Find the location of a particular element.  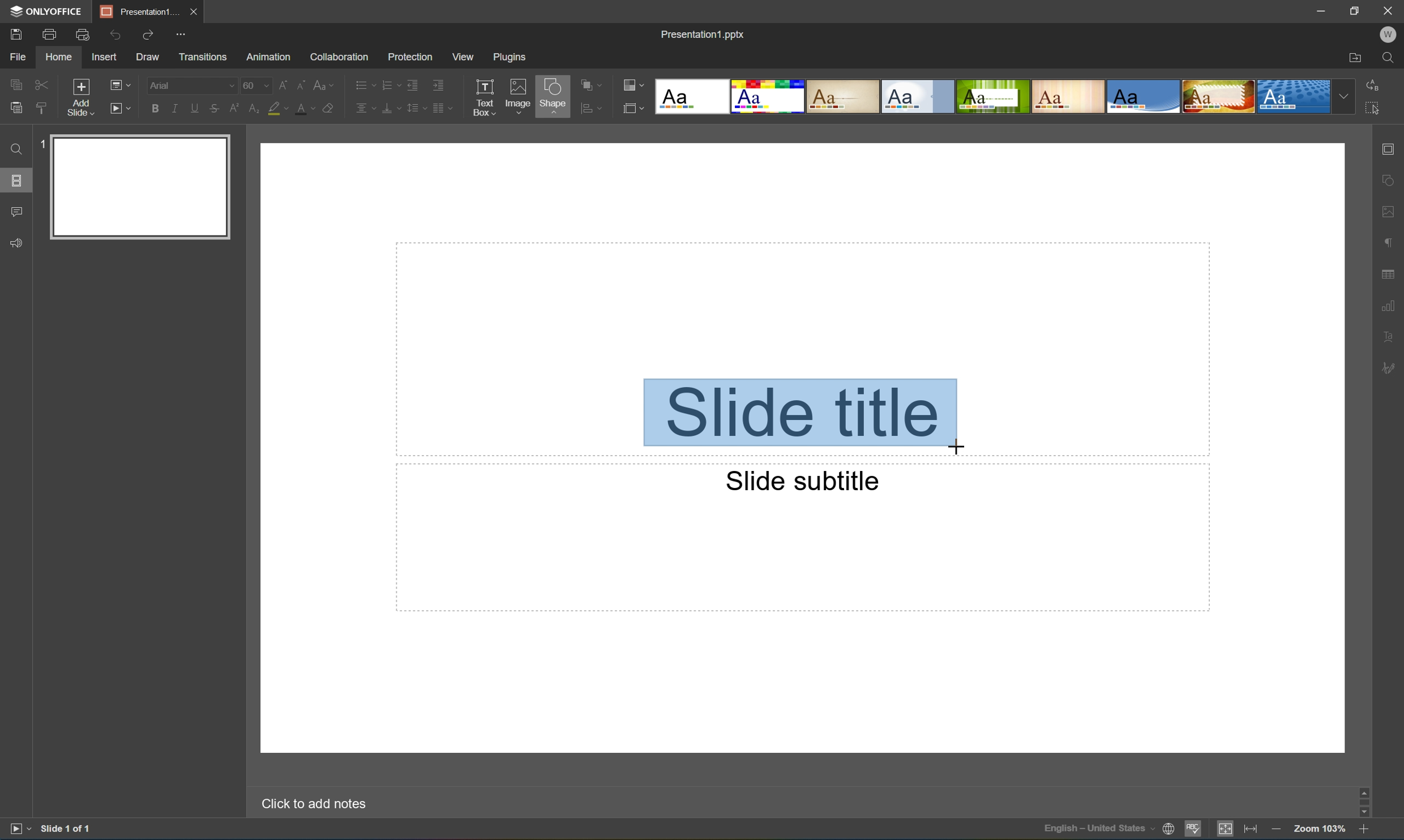

Paste is located at coordinates (16, 109).